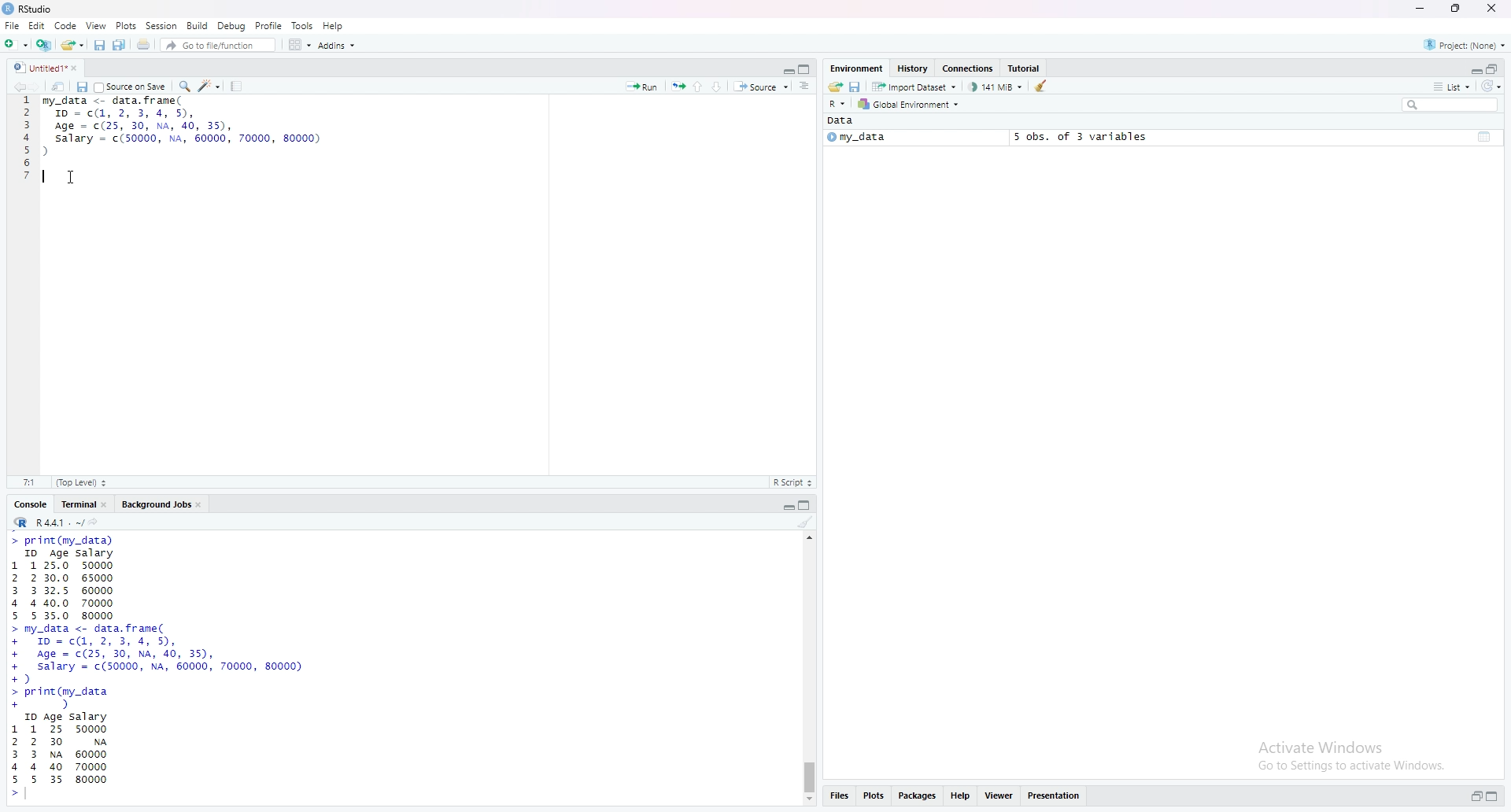  What do you see at coordinates (186, 85) in the screenshot?
I see `Find/replace` at bounding box center [186, 85].